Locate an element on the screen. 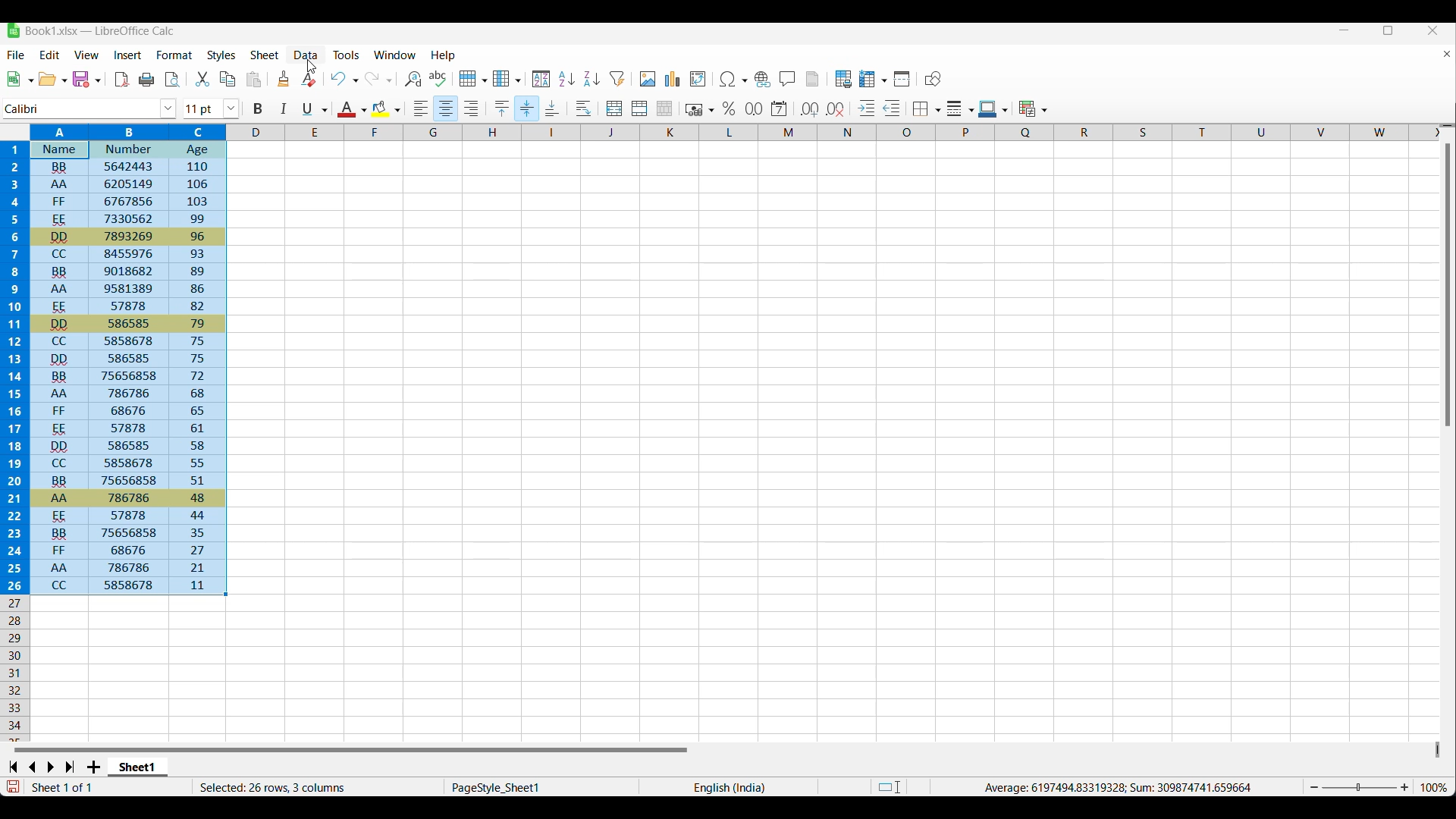 The image size is (1456, 819). Underline options is located at coordinates (315, 109).